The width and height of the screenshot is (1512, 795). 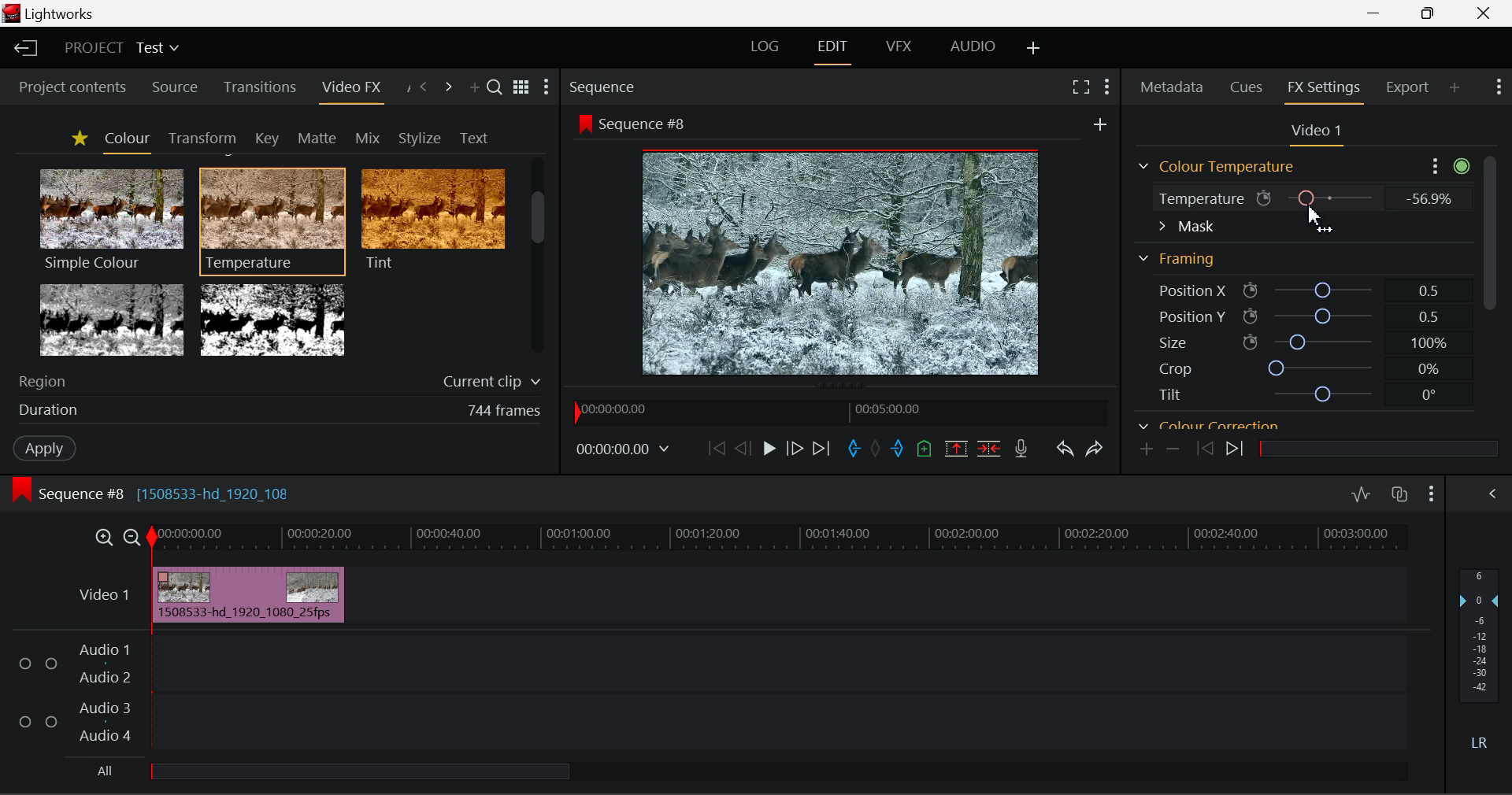 What do you see at coordinates (584, 124) in the screenshot?
I see `icon` at bounding box center [584, 124].